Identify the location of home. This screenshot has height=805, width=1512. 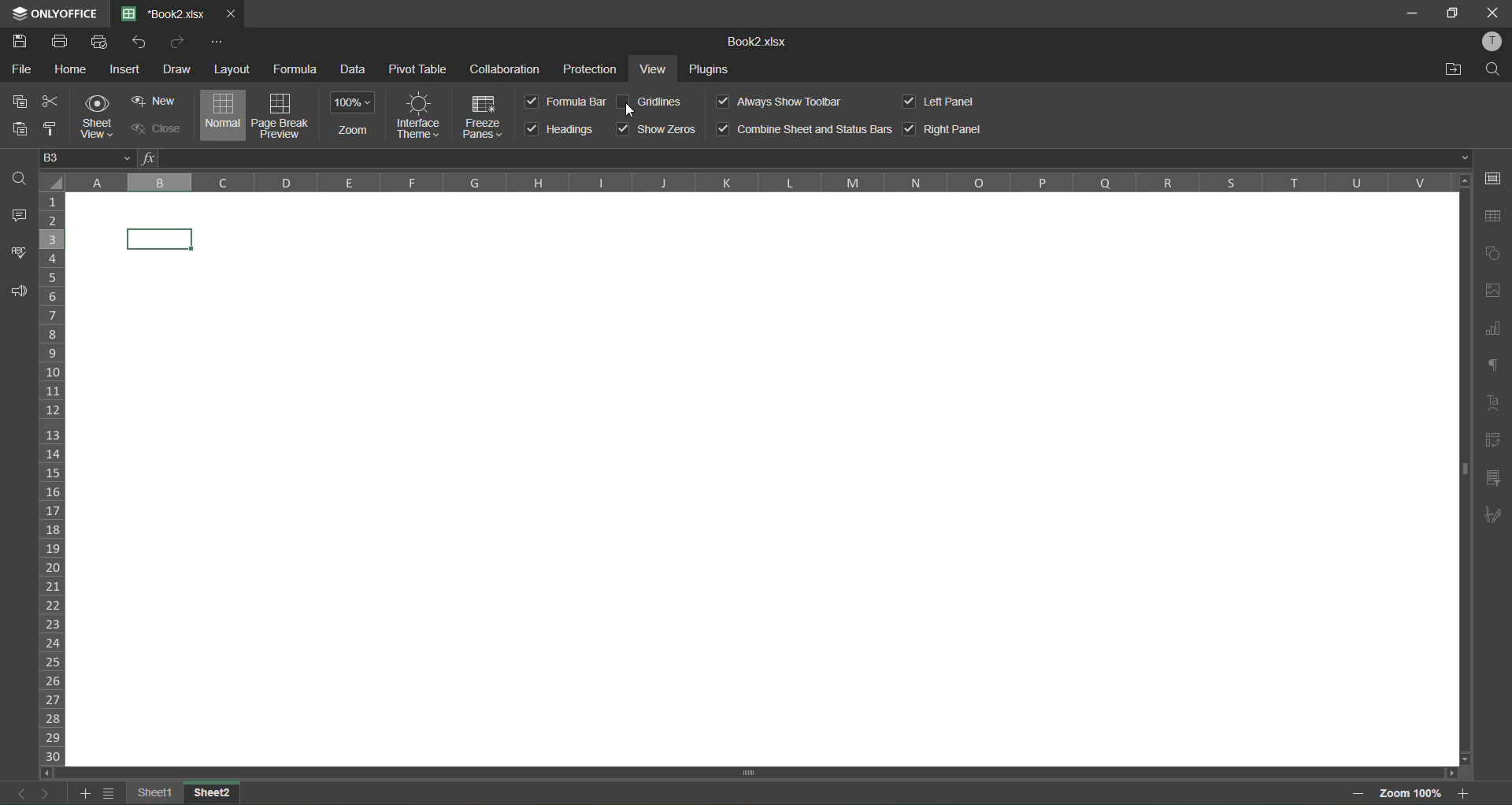
(75, 70).